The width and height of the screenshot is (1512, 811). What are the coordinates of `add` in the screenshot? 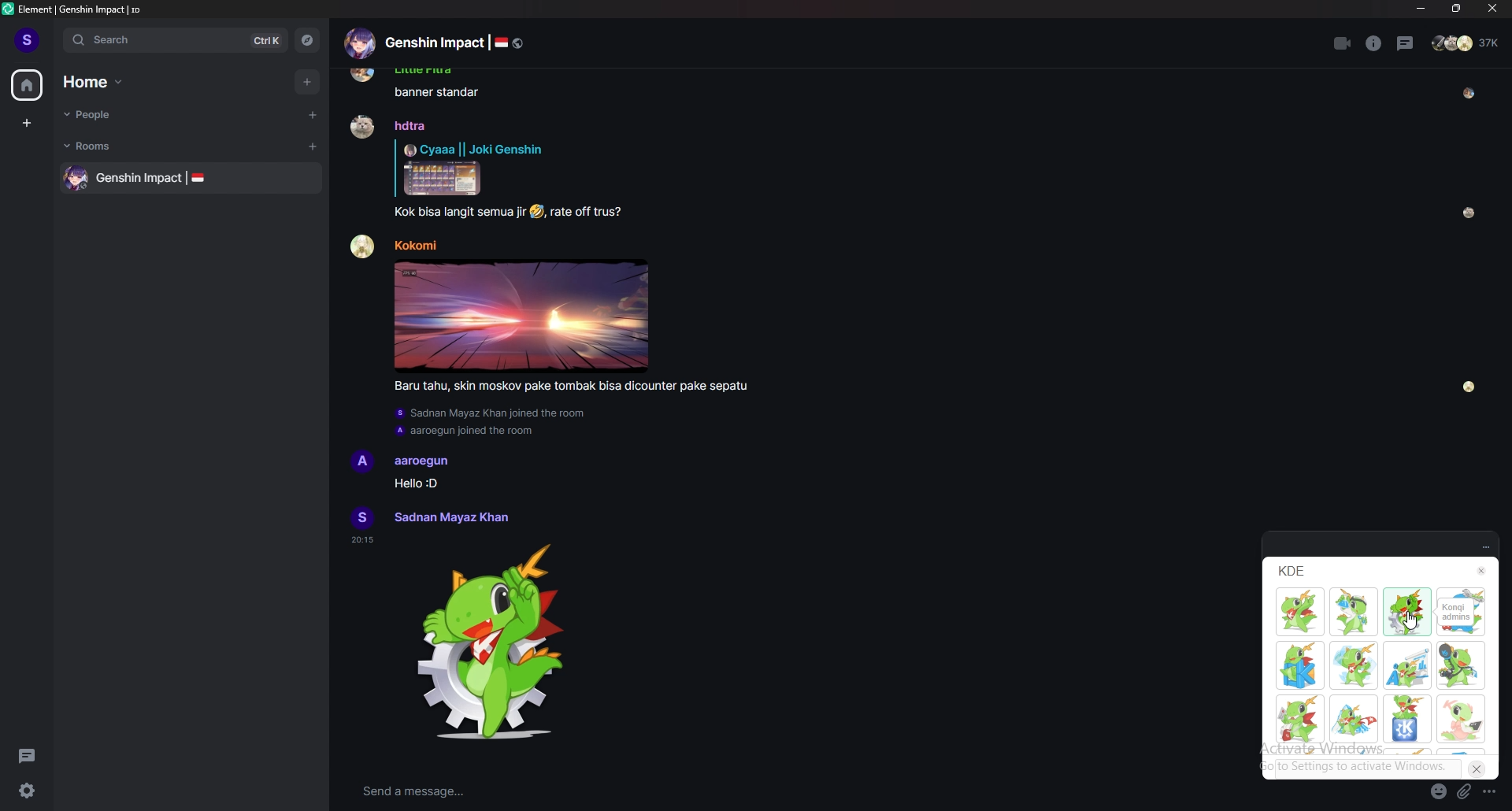 It's located at (309, 82).